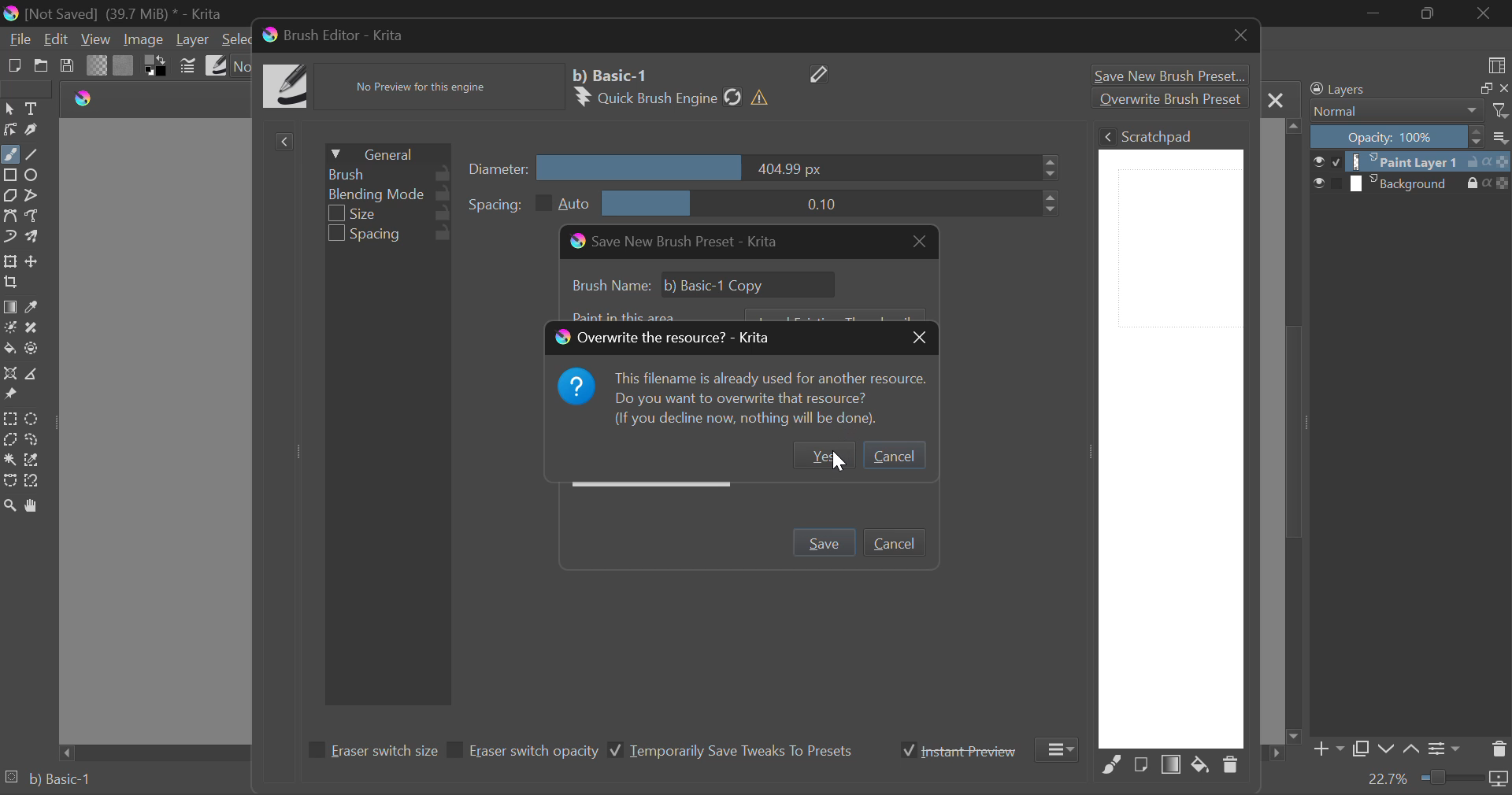 This screenshot has width=1512, height=795. I want to click on Temporarily Save Tweaks To Presets, so click(731, 751).